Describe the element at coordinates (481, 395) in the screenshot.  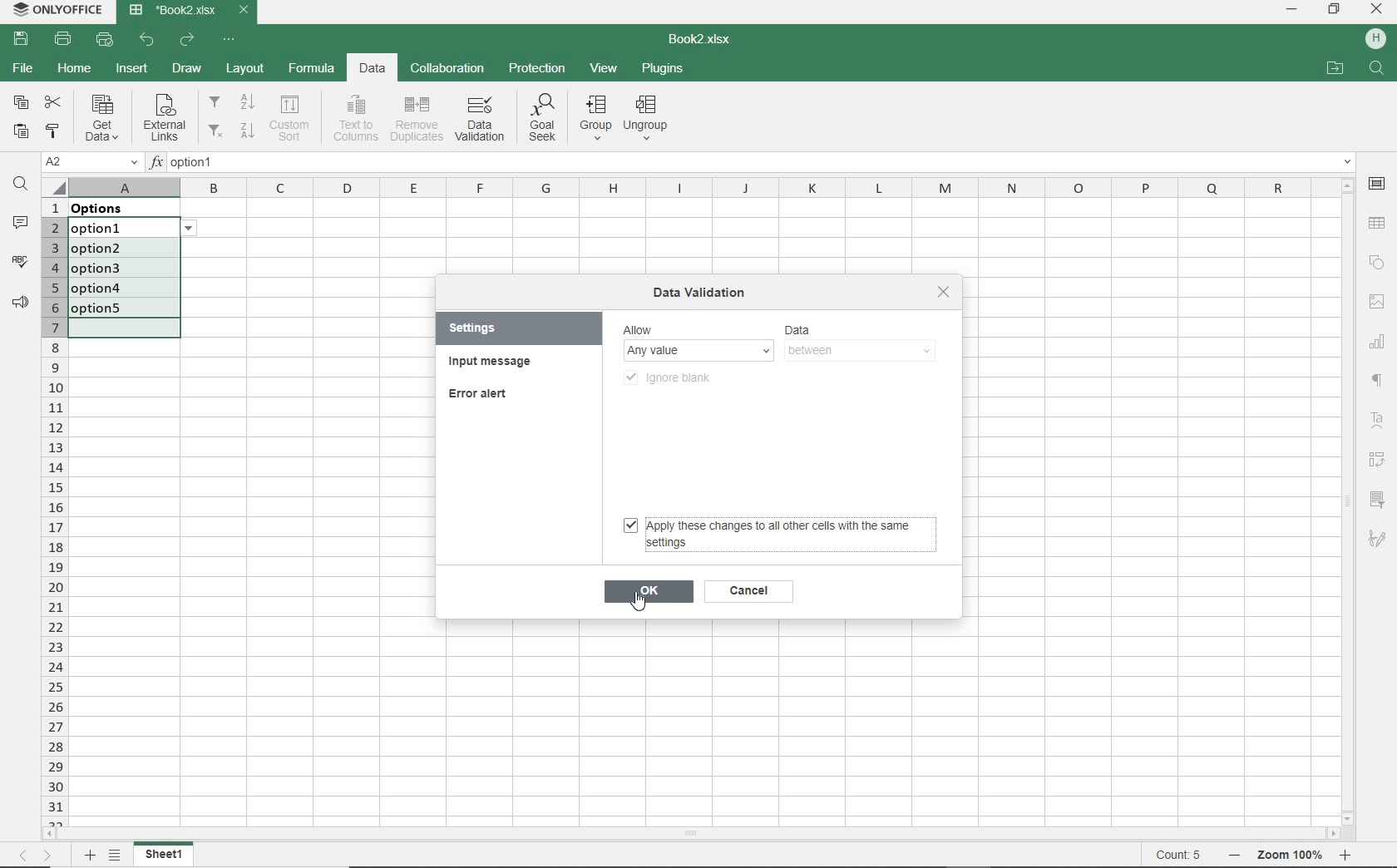
I see `ERROR ALERT` at that location.